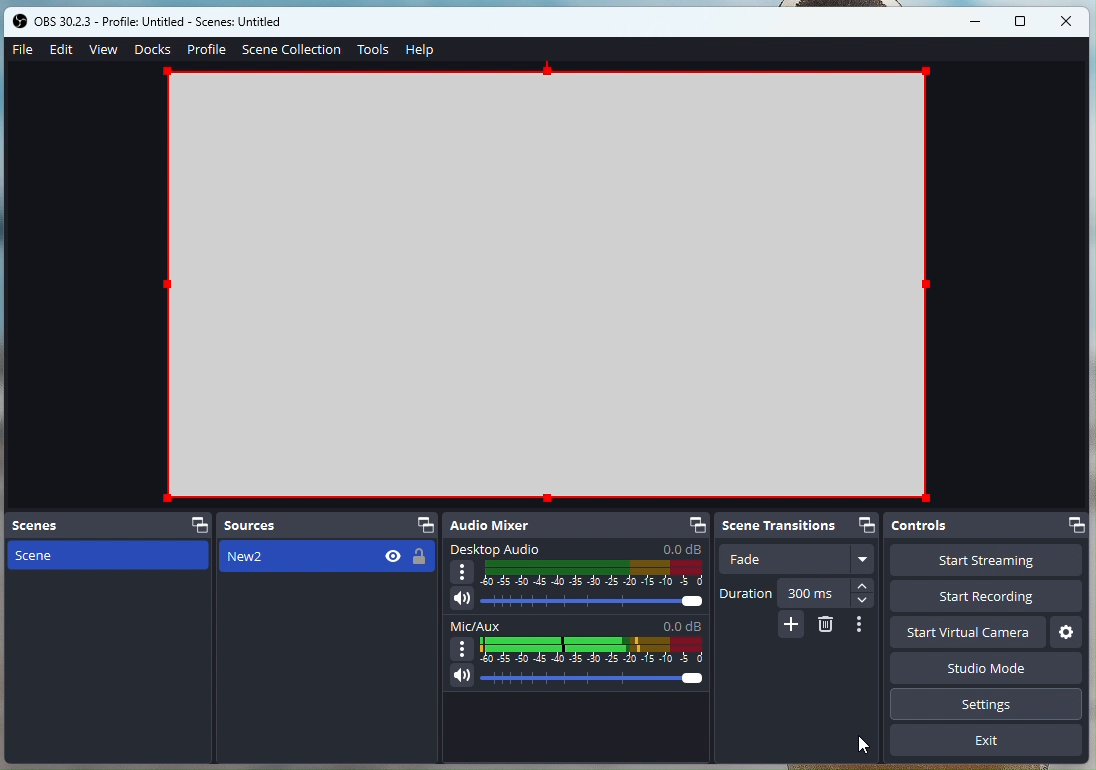 The width and height of the screenshot is (1096, 770). Describe the element at coordinates (989, 741) in the screenshot. I see `Exit` at that location.